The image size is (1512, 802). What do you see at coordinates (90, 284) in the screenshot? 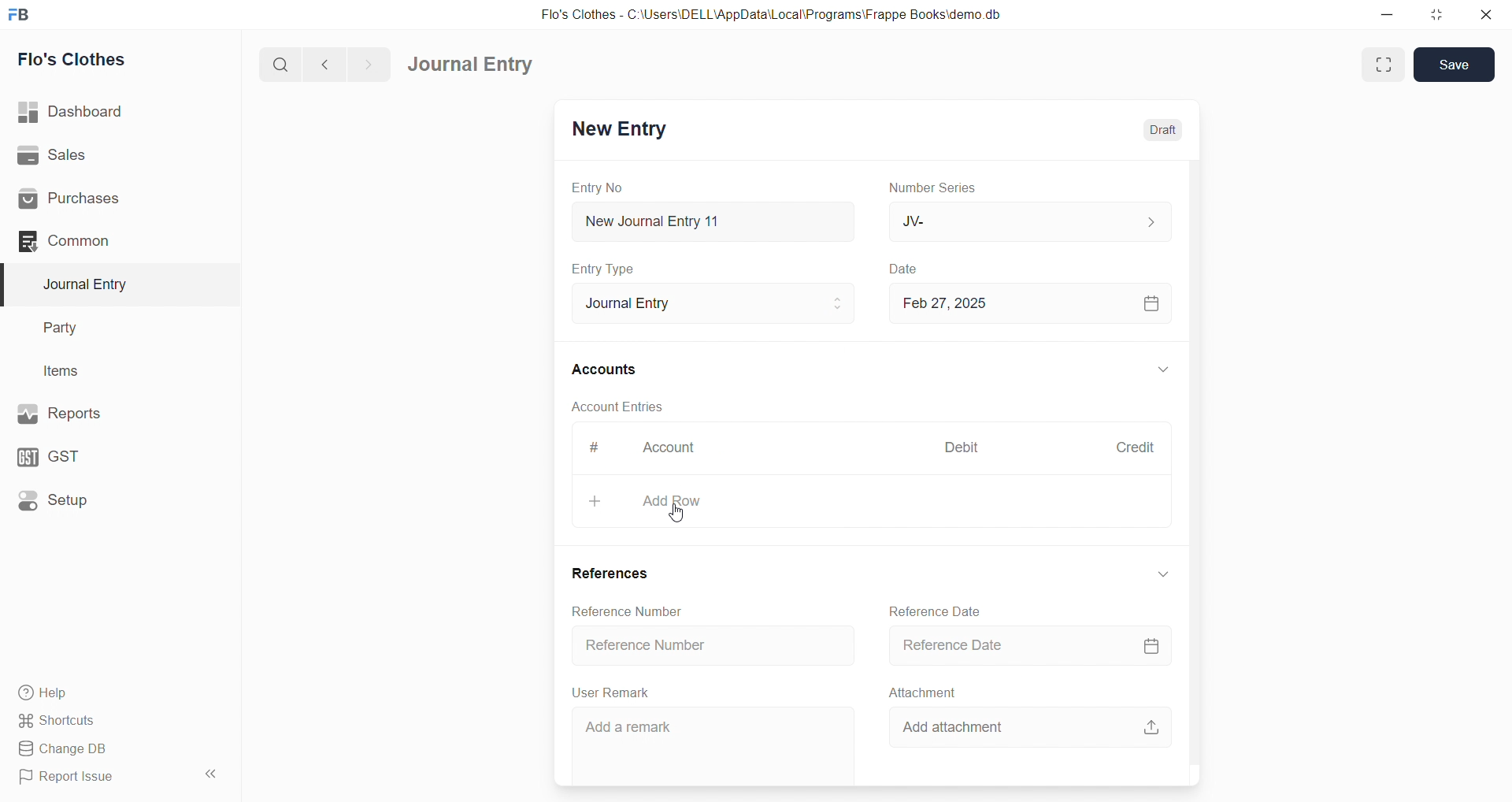
I see `Journal Entry` at bounding box center [90, 284].